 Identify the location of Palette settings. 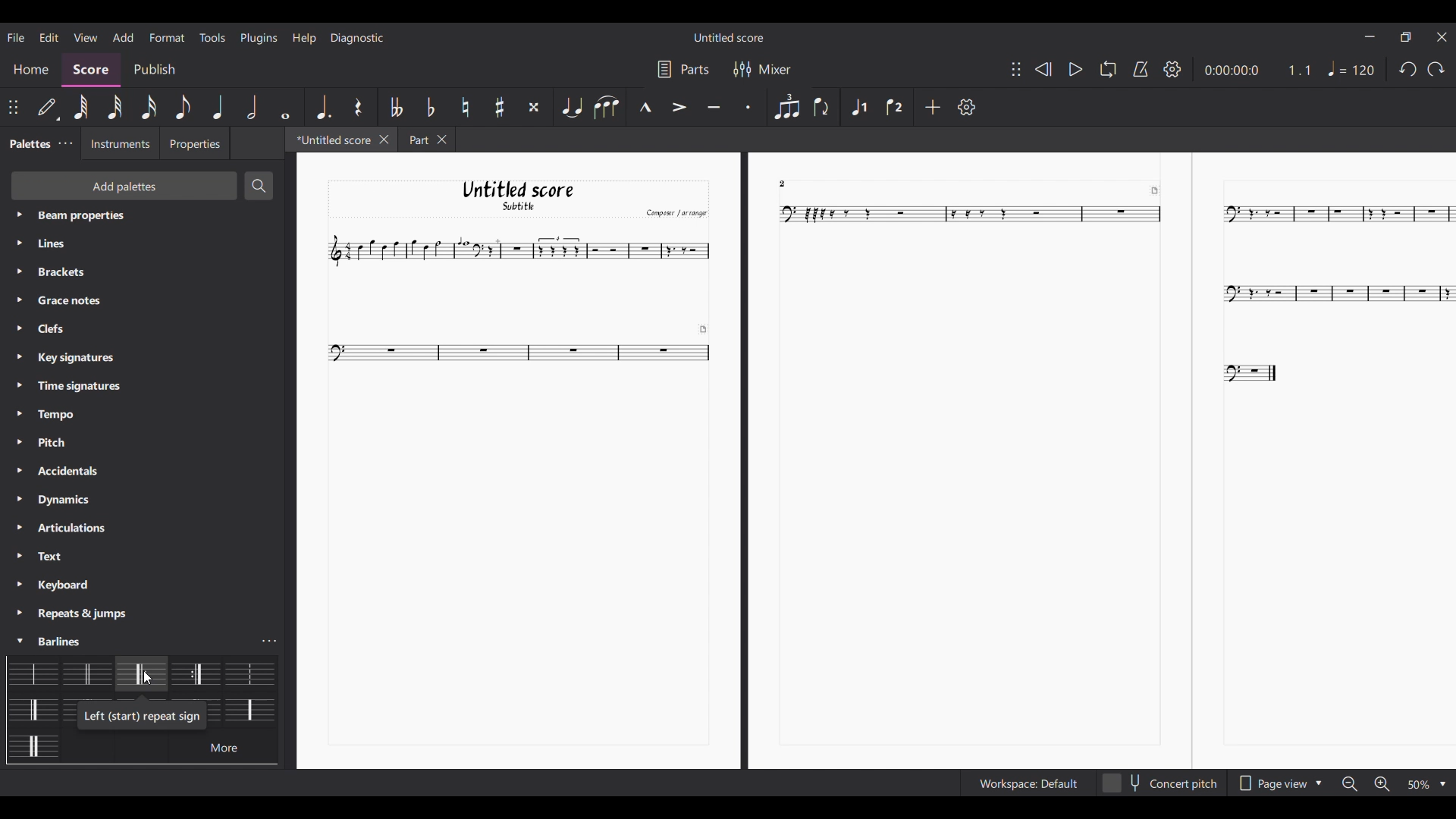
(58, 559).